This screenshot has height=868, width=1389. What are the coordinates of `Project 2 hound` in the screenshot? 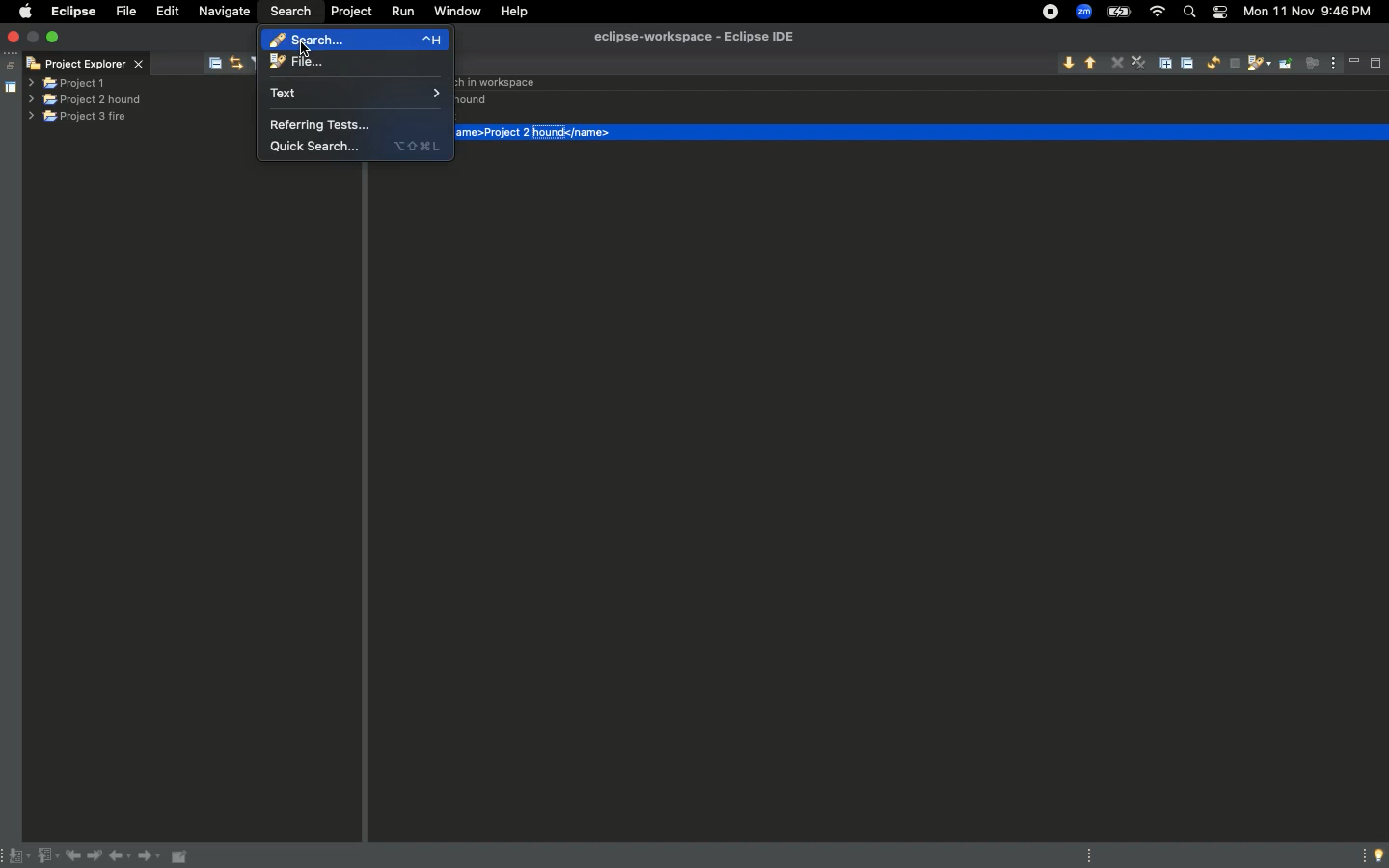 It's located at (88, 100).